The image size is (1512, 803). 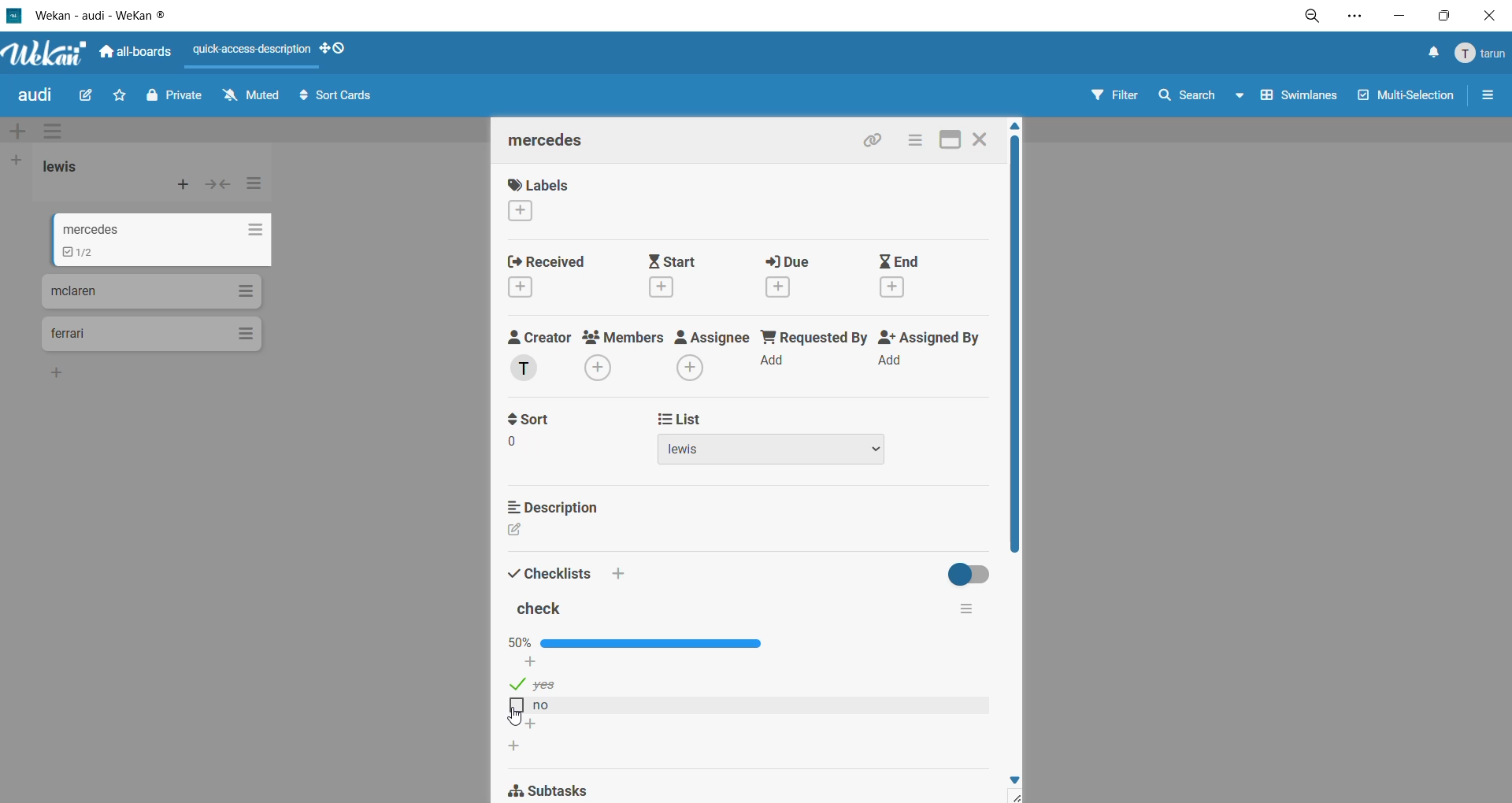 What do you see at coordinates (251, 50) in the screenshot?
I see `quick access description` at bounding box center [251, 50].